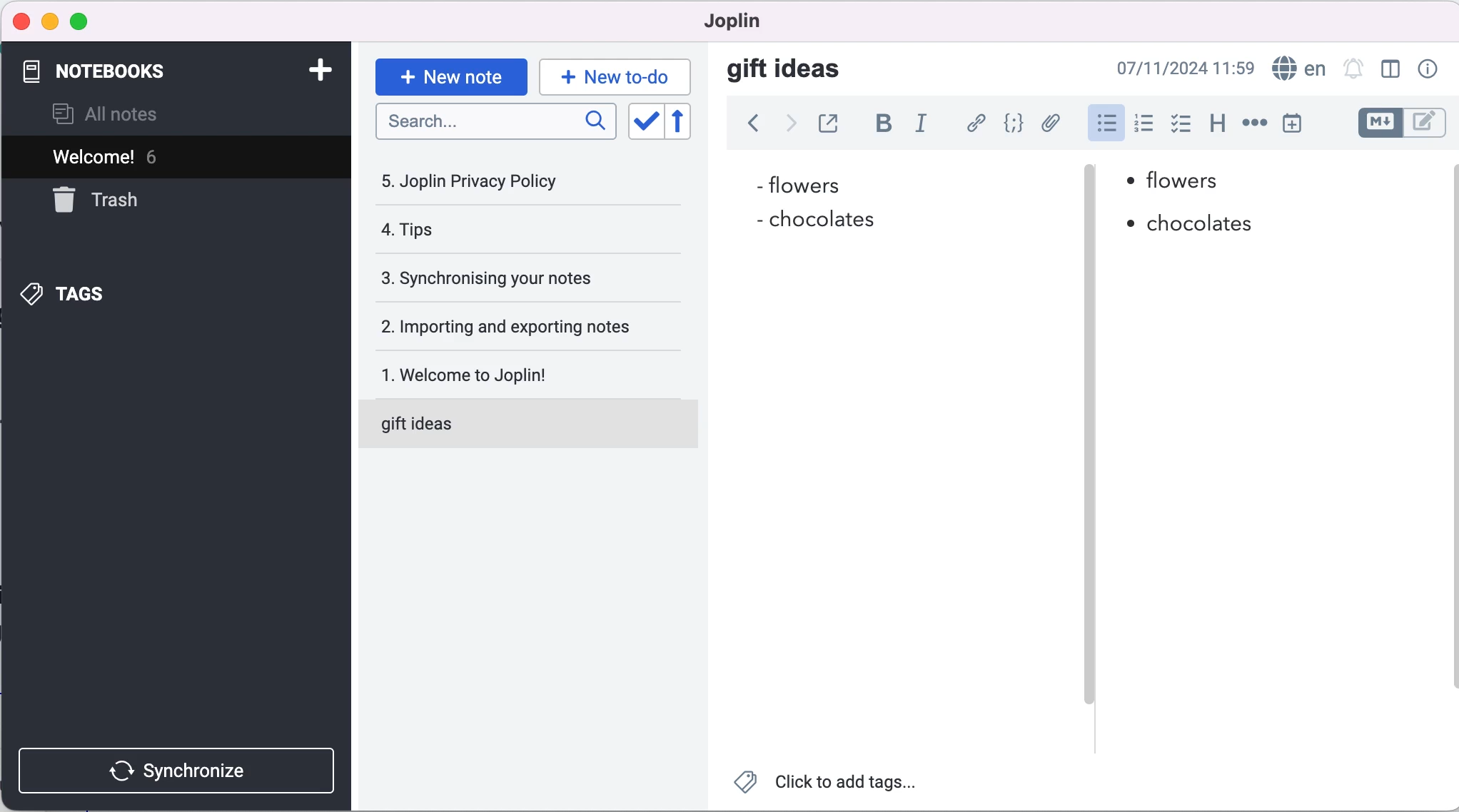 The width and height of the screenshot is (1459, 812). I want to click on toggle external editing, so click(831, 123).